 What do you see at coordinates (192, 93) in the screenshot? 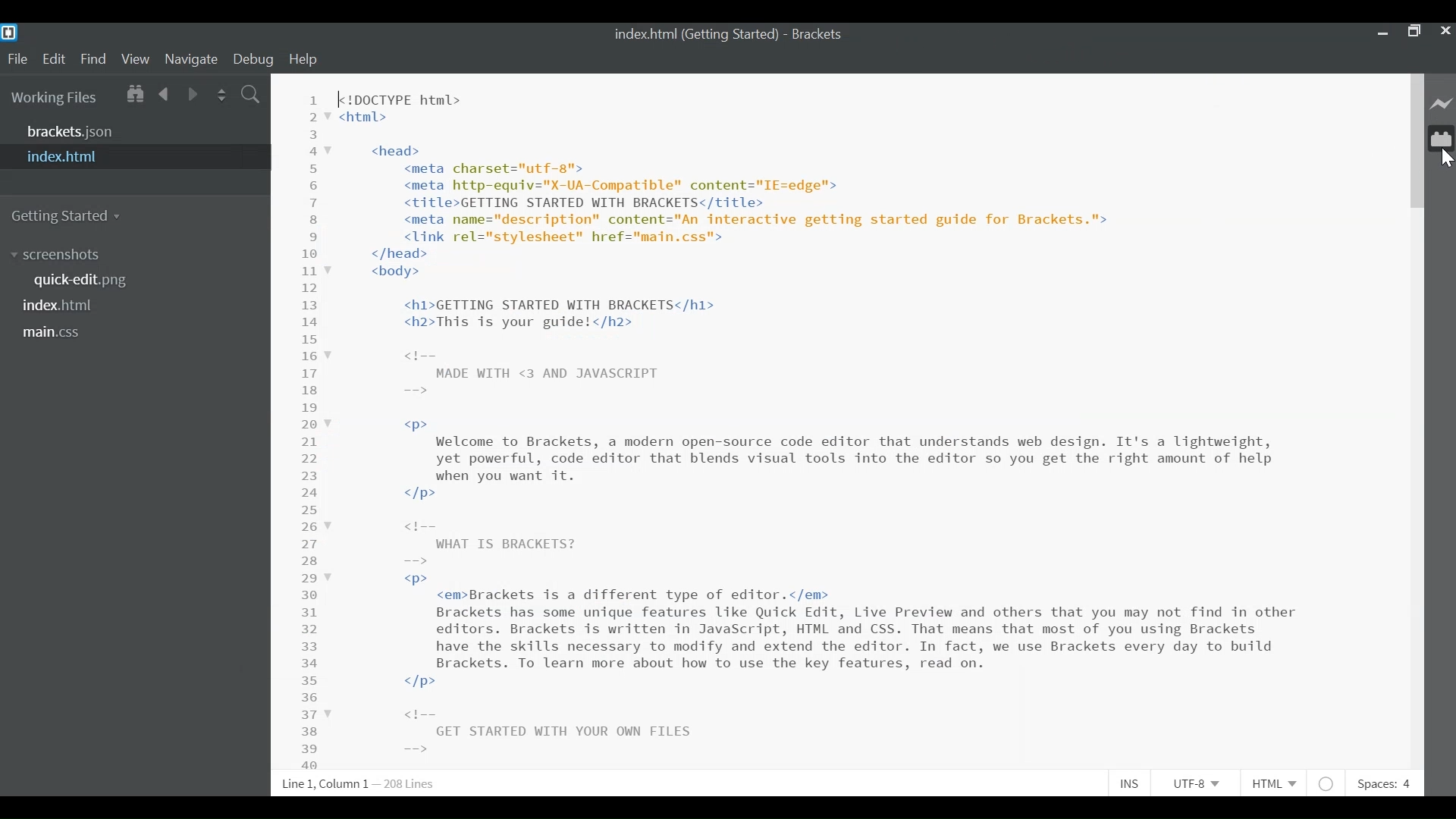
I see `Navigate Forward` at bounding box center [192, 93].